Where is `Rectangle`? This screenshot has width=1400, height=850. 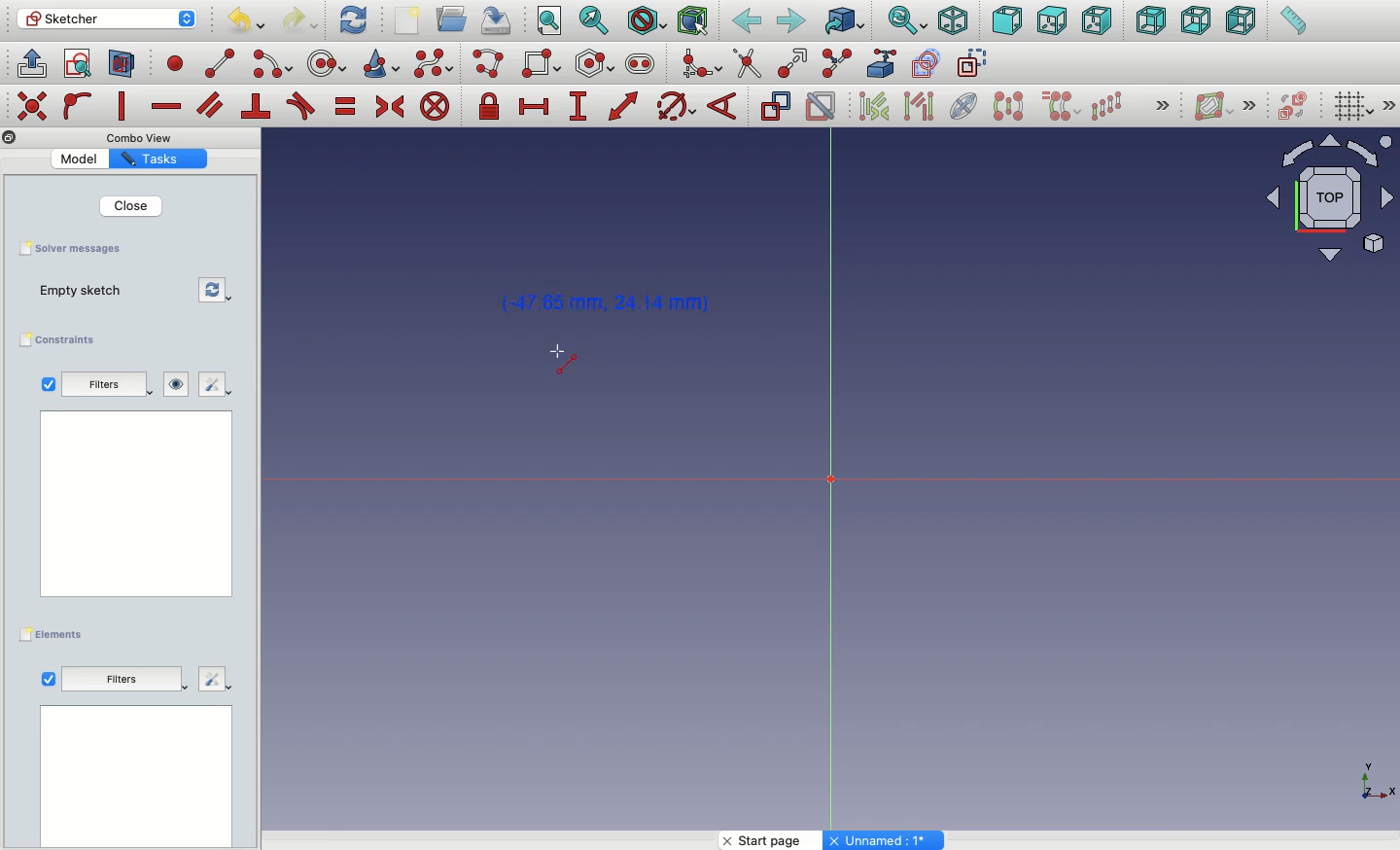
Rectangle is located at coordinates (543, 64).